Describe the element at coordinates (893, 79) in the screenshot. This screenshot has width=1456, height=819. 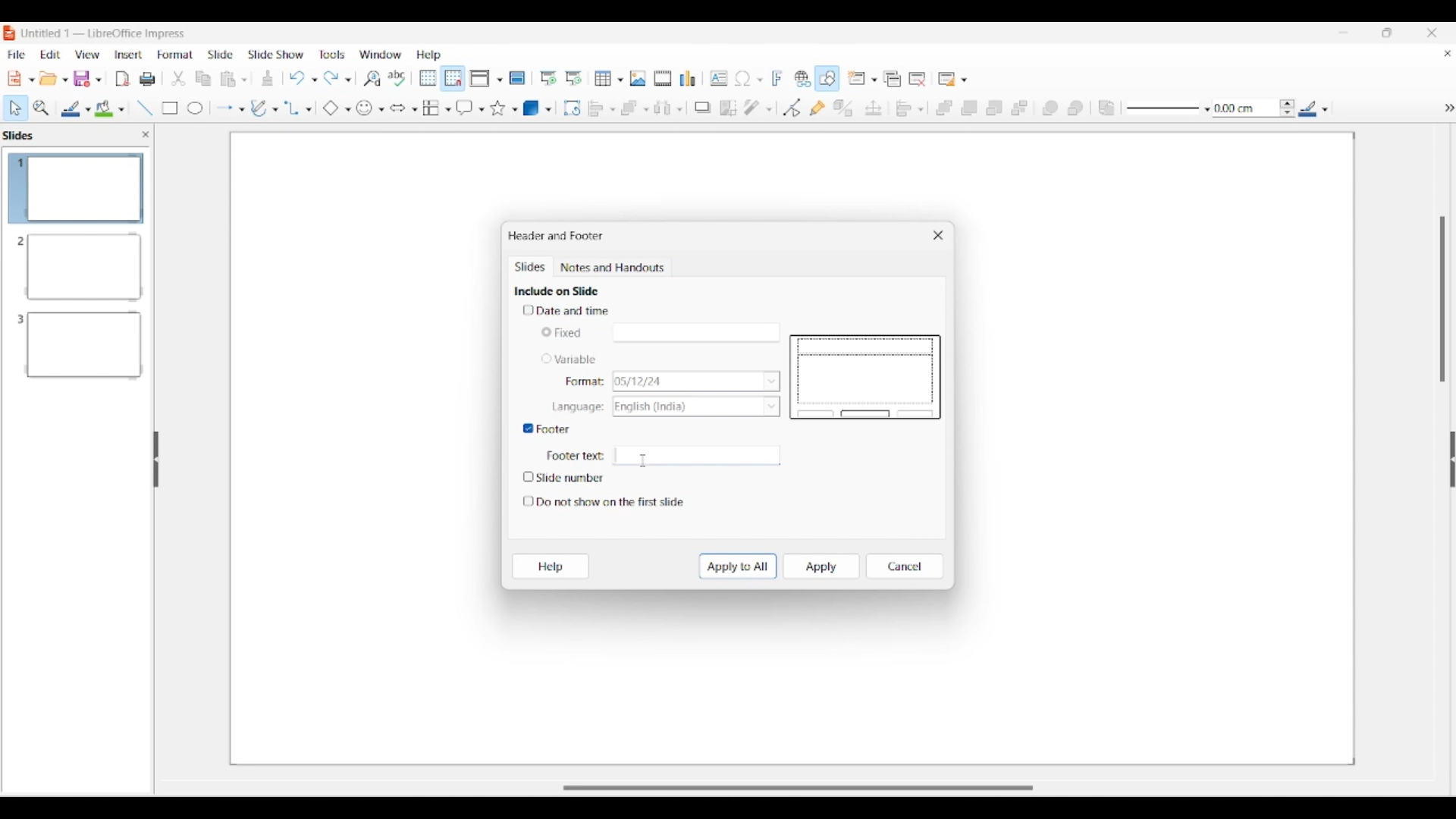
I see `Duplicate slide` at that location.